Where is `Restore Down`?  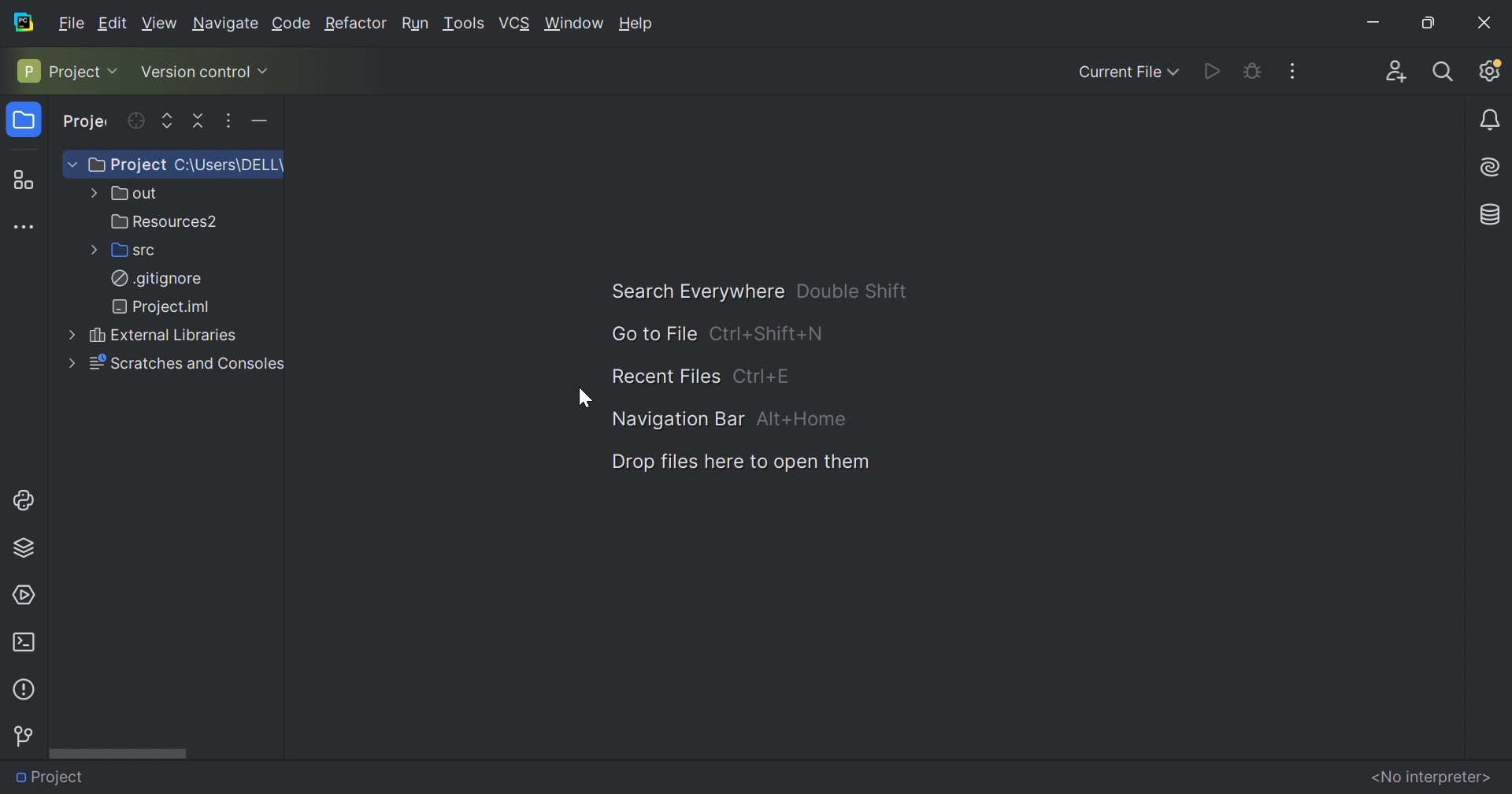 Restore Down is located at coordinates (1425, 22).